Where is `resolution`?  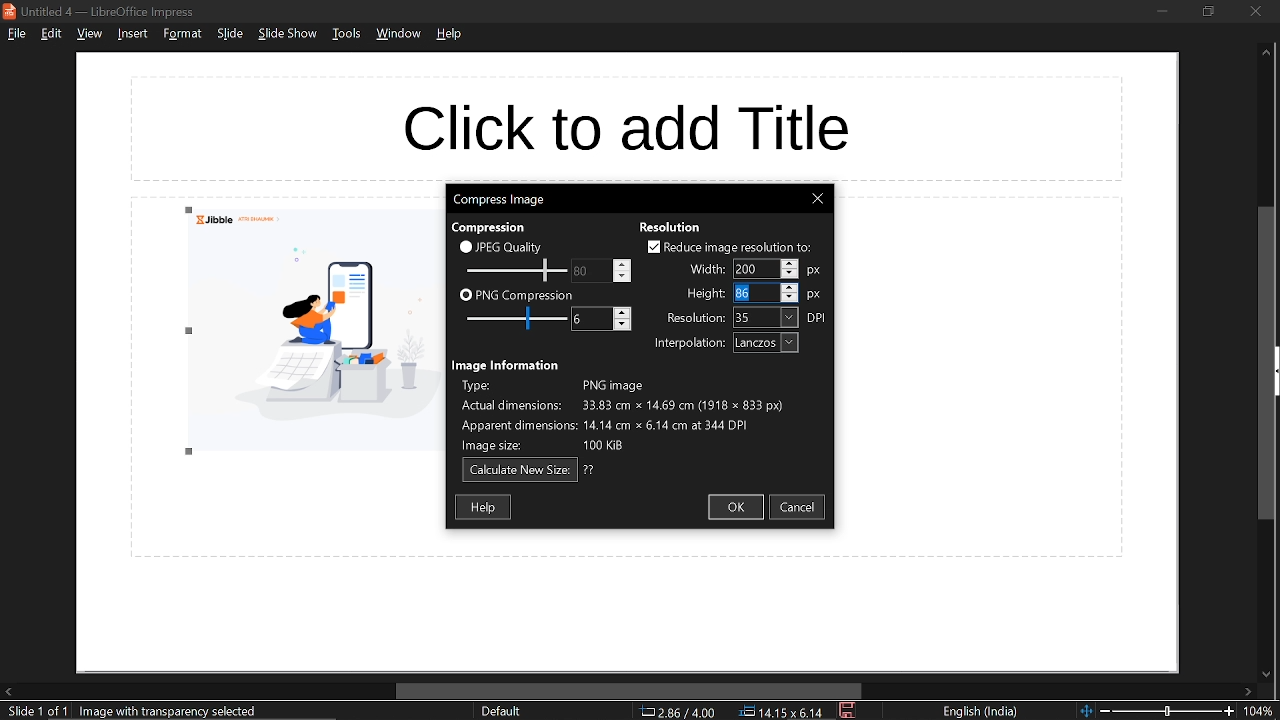
resolution is located at coordinates (766, 318).